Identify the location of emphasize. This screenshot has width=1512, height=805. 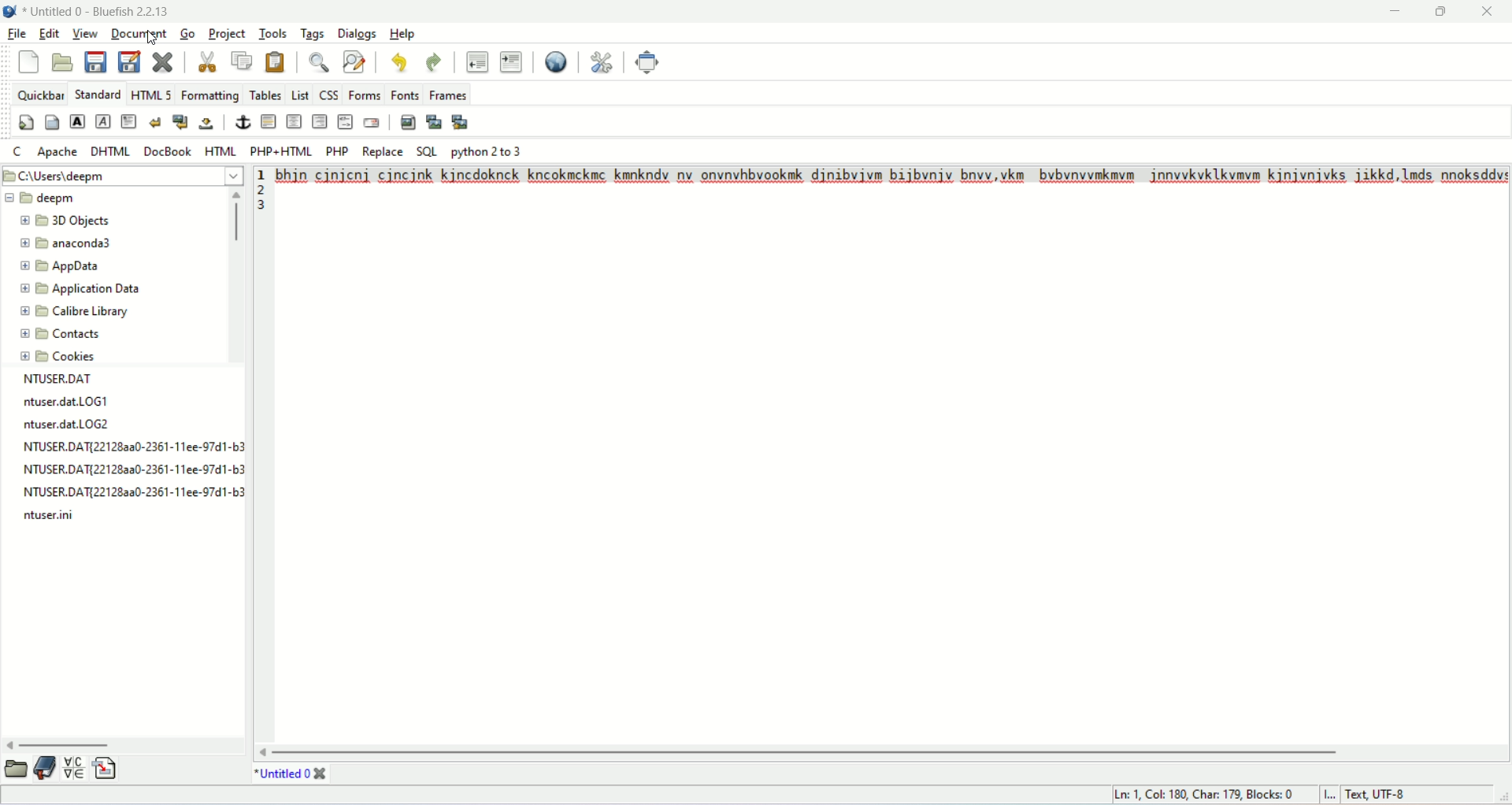
(102, 121).